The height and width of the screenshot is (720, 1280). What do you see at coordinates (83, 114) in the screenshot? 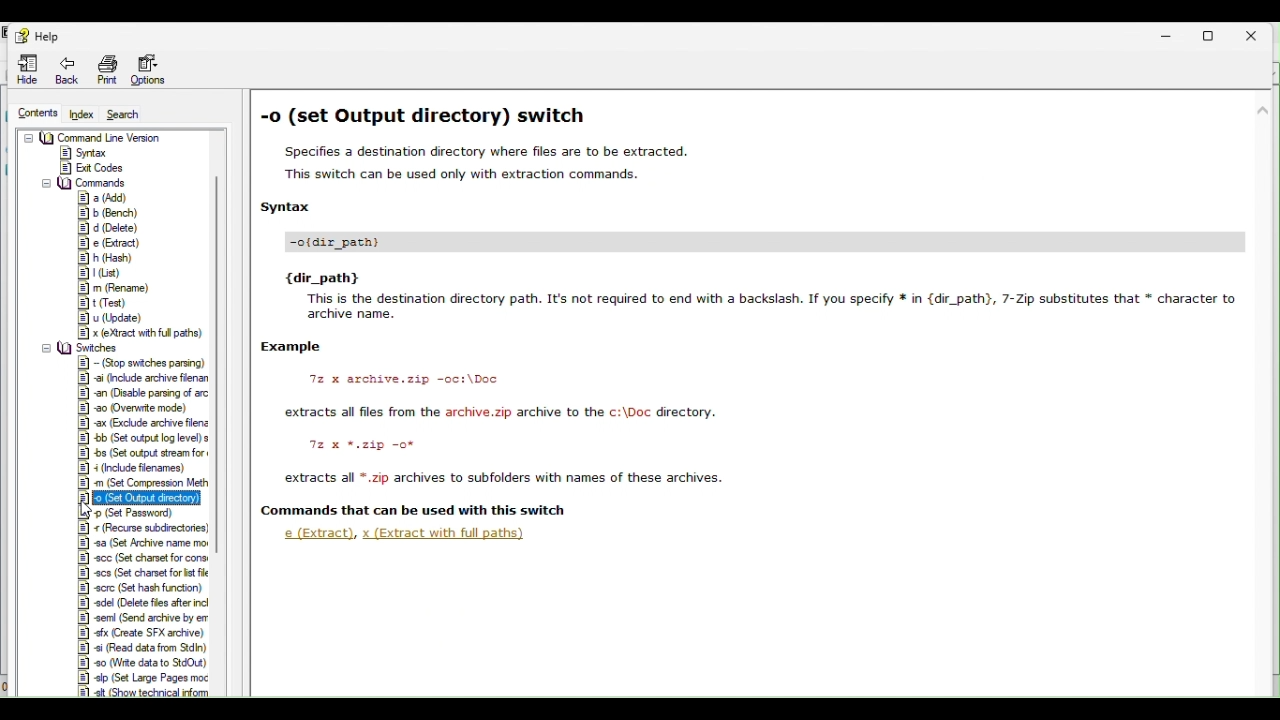
I see `Index ` at bounding box center [83, 114].